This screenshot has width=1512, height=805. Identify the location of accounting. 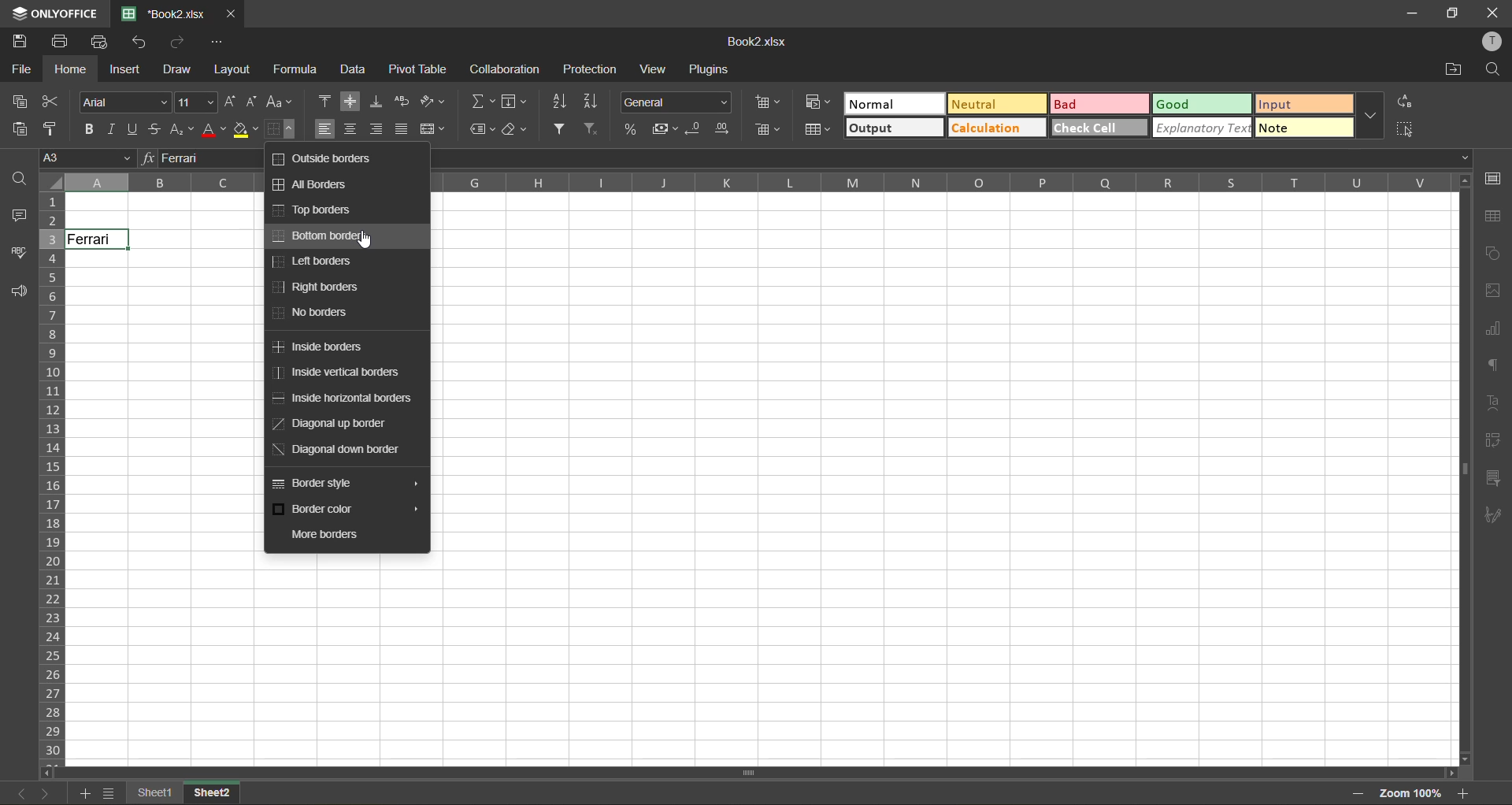
(664, 131).